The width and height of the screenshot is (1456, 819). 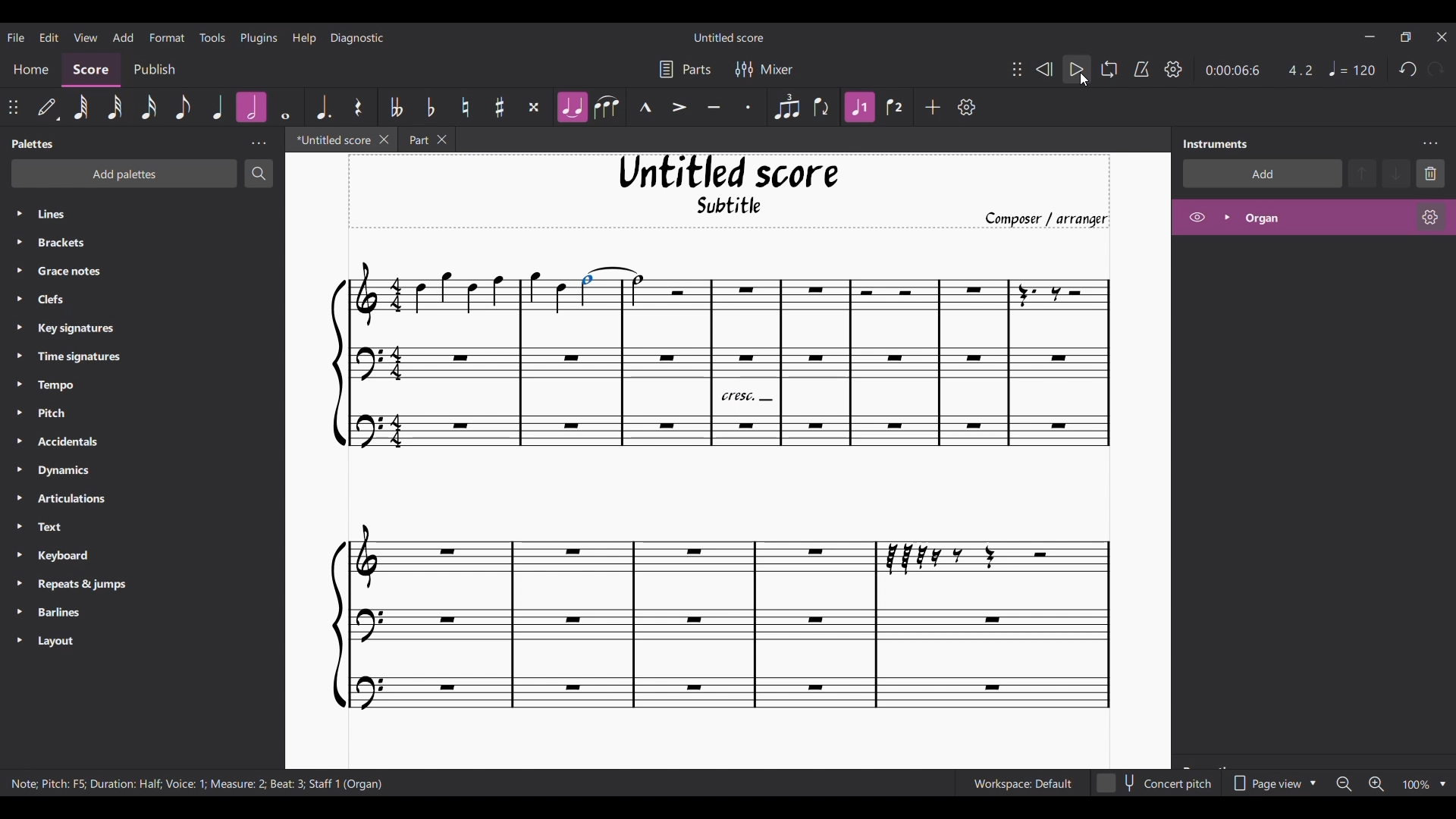 What do you see at coordinates (1016, 68) in the screenshot?
I see `Change position of toolbar` at bounding box center [1016, 68].